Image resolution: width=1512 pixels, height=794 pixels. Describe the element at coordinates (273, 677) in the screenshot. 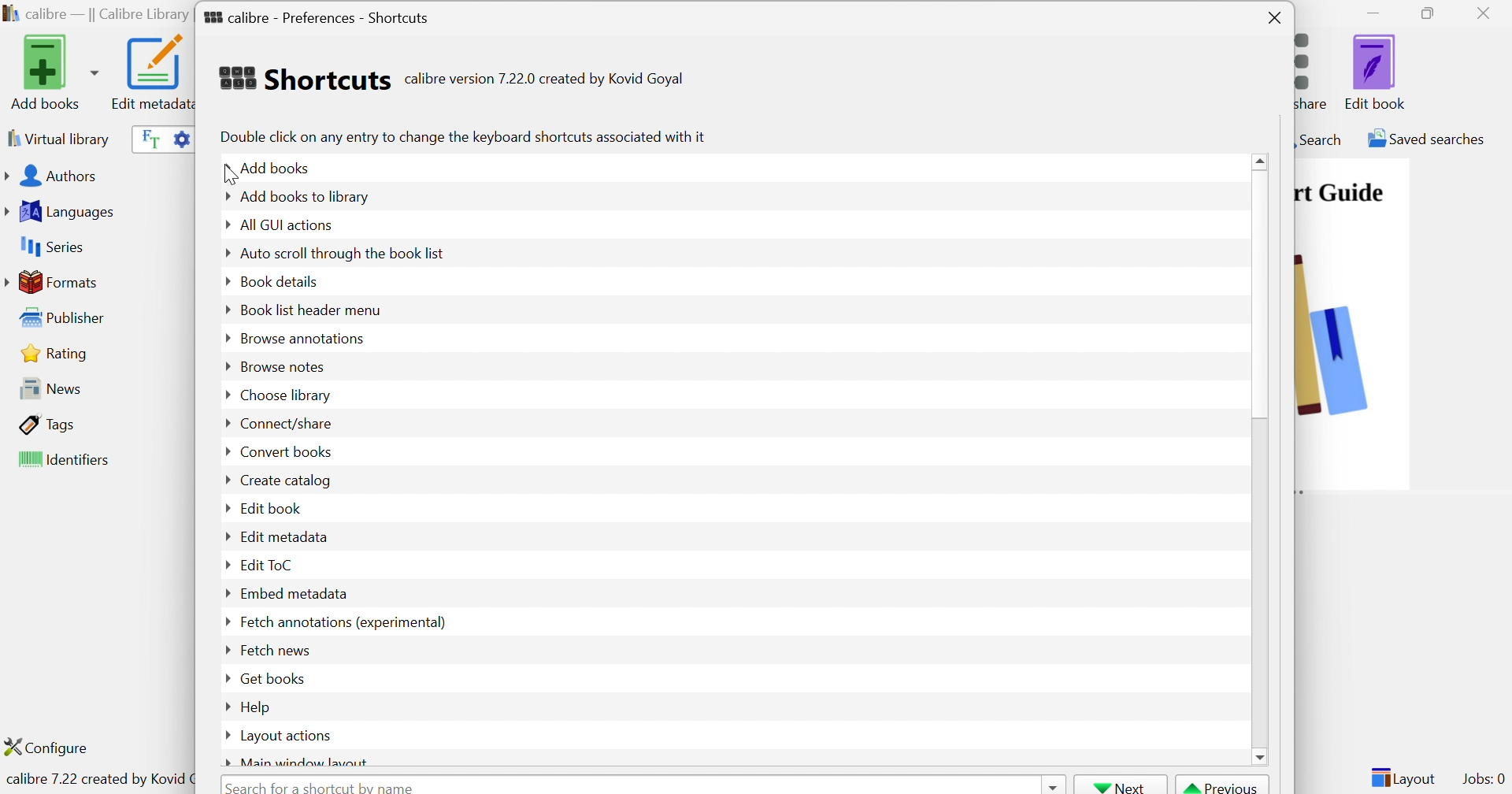

I see `Get books` at that location.